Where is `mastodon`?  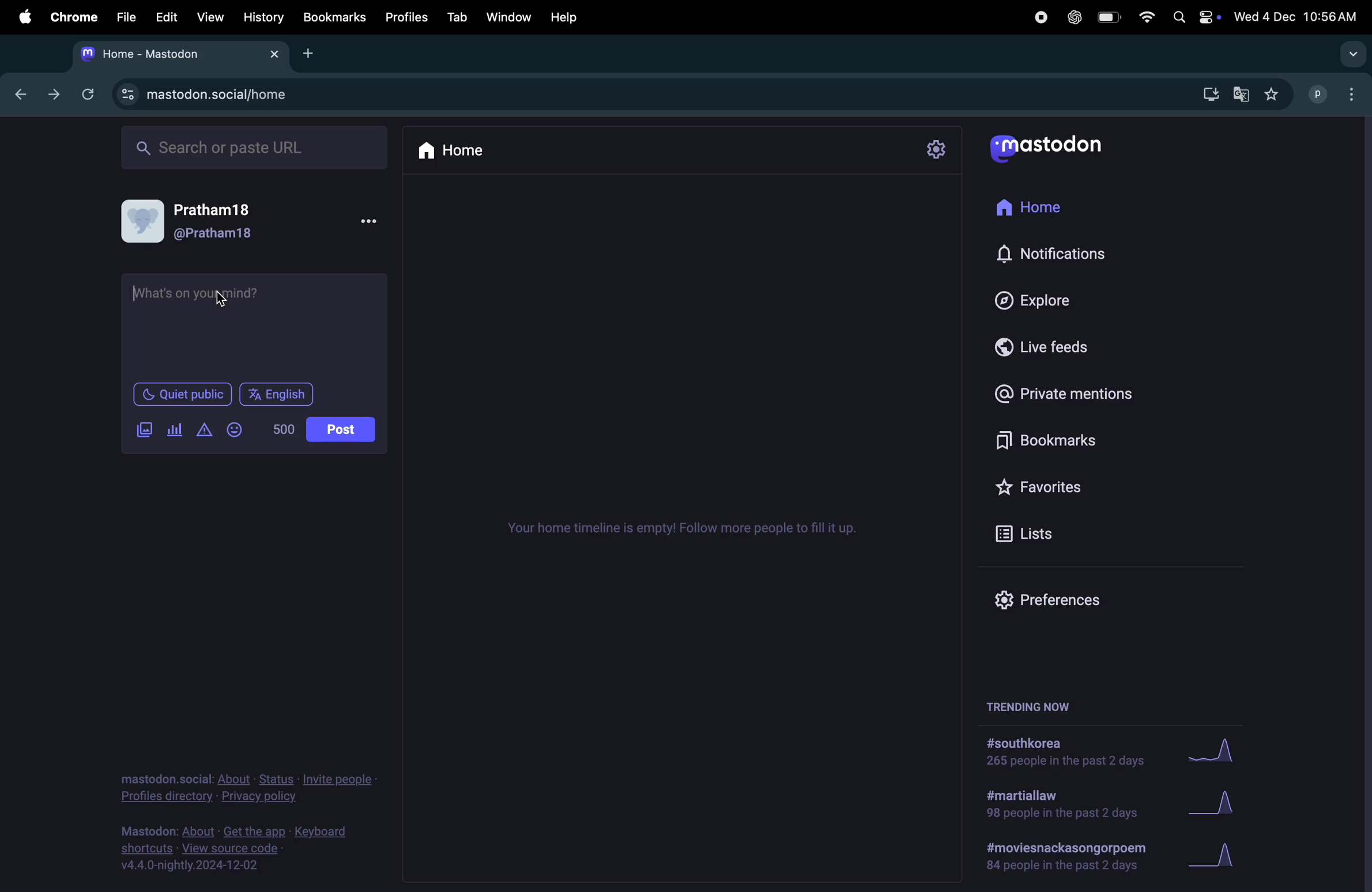 mastodon is located at coordinates (1047, 147).